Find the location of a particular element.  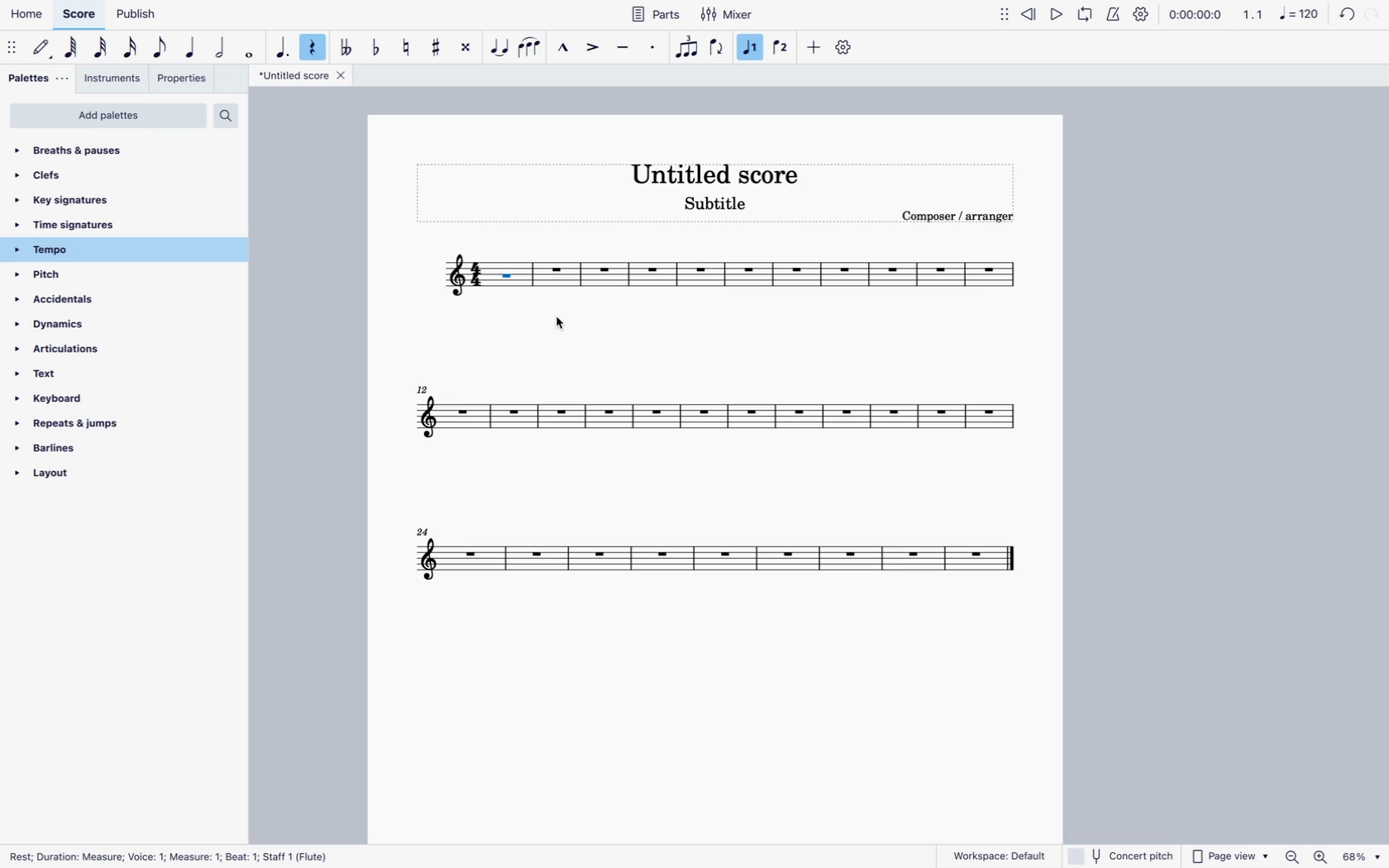

composer / arranger is located at coordinates (956, 218).